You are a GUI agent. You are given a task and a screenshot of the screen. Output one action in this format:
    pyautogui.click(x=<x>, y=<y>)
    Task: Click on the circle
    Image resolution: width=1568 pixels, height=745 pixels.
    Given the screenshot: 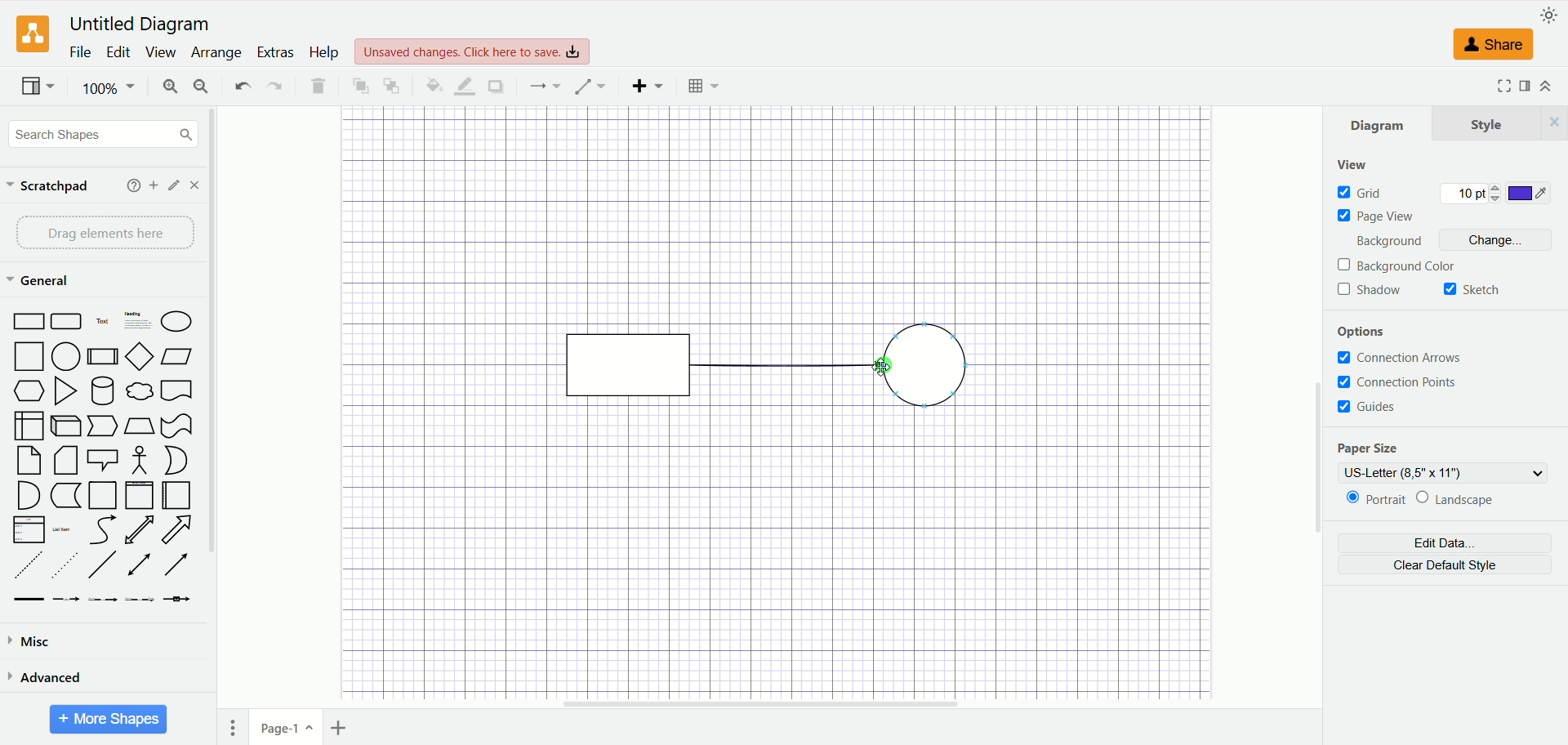 What is the action you would take?
    pyautogui.click(x=924, y=364)
    